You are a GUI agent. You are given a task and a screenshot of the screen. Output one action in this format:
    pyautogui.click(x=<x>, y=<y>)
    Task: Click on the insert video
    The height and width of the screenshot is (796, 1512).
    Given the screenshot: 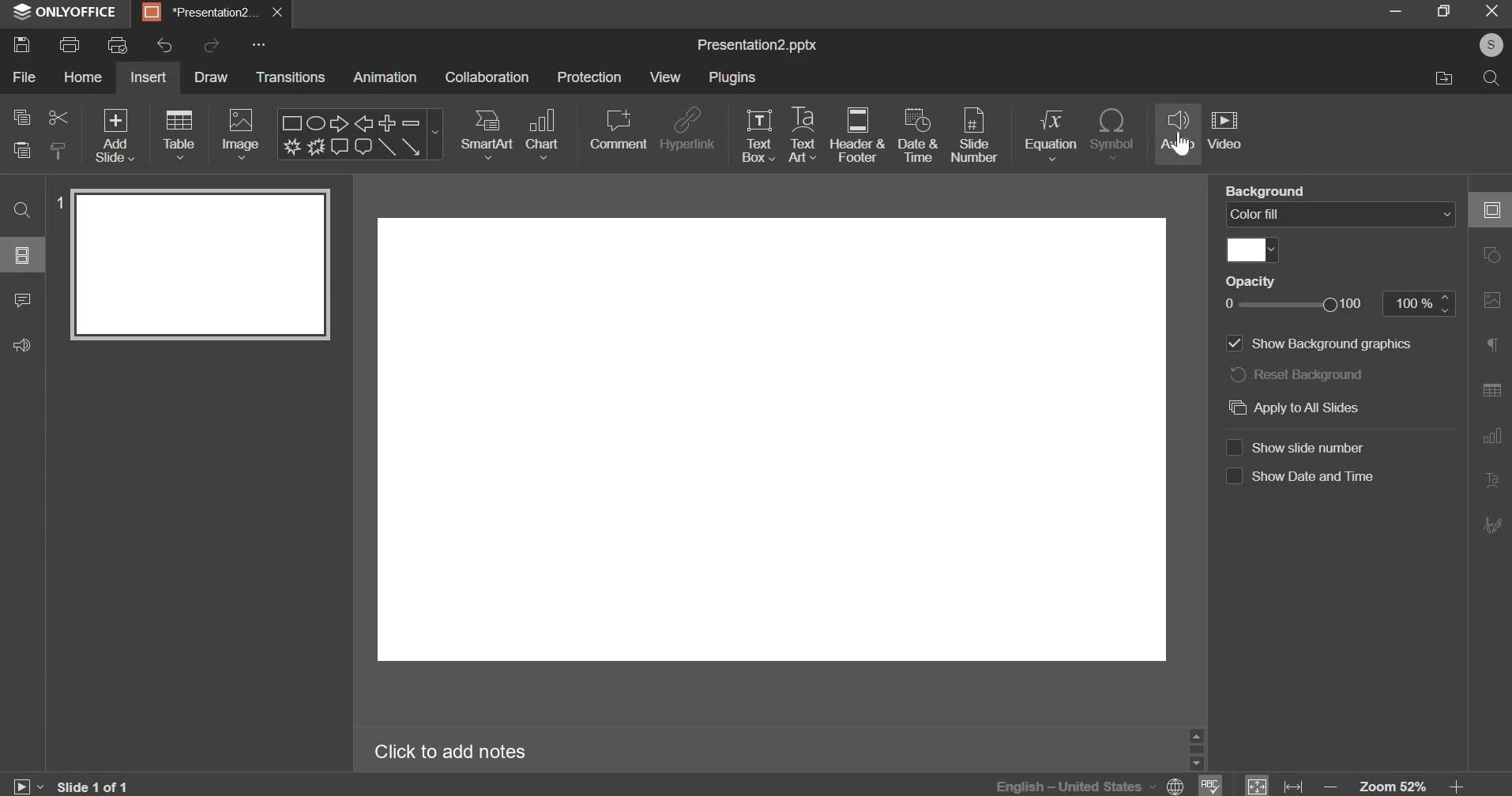 What is the action you would take?
    pyautogui.click(x=1228, y=133)
    